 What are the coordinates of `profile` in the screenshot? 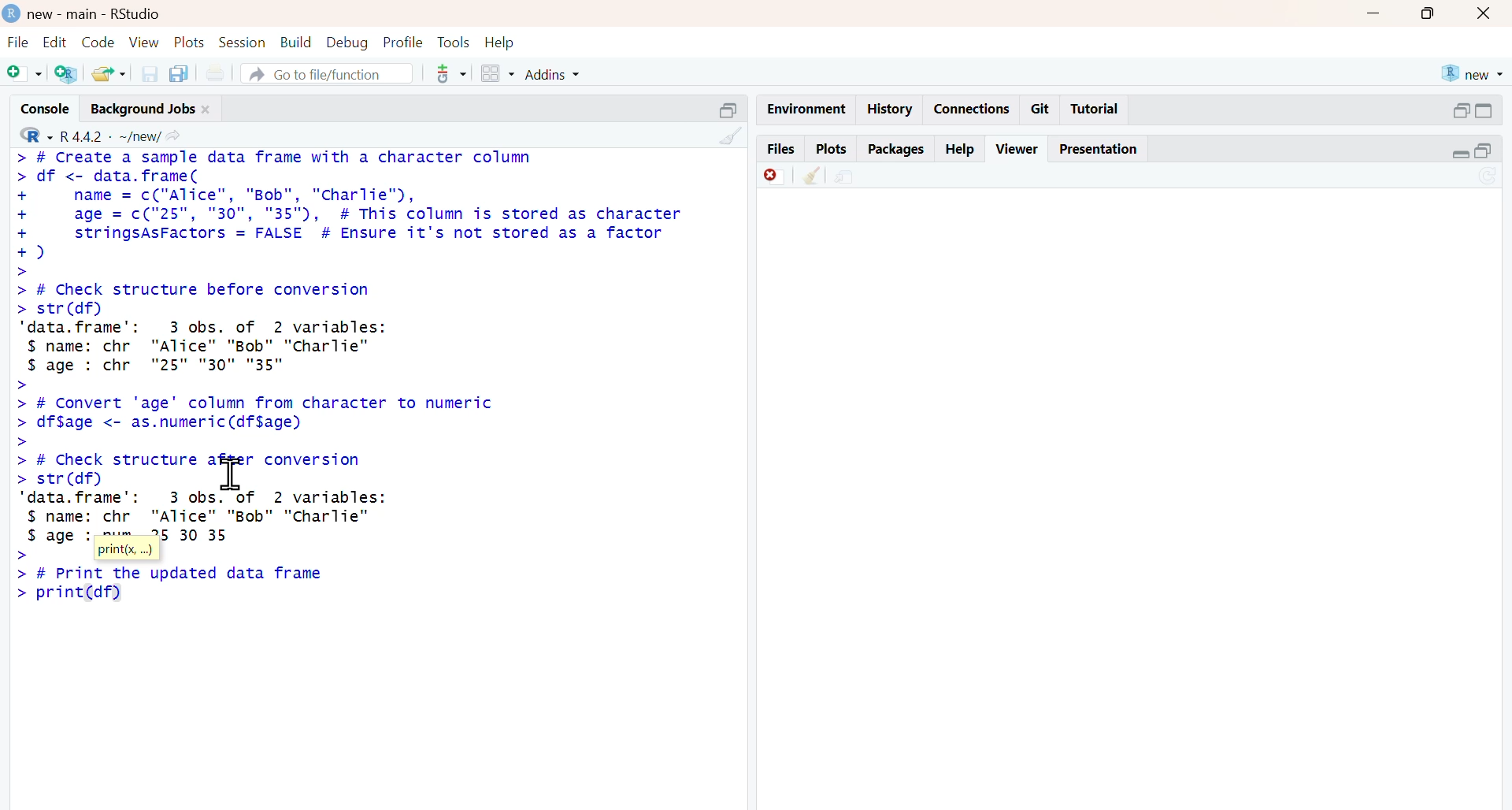 It's located at (404, 43).